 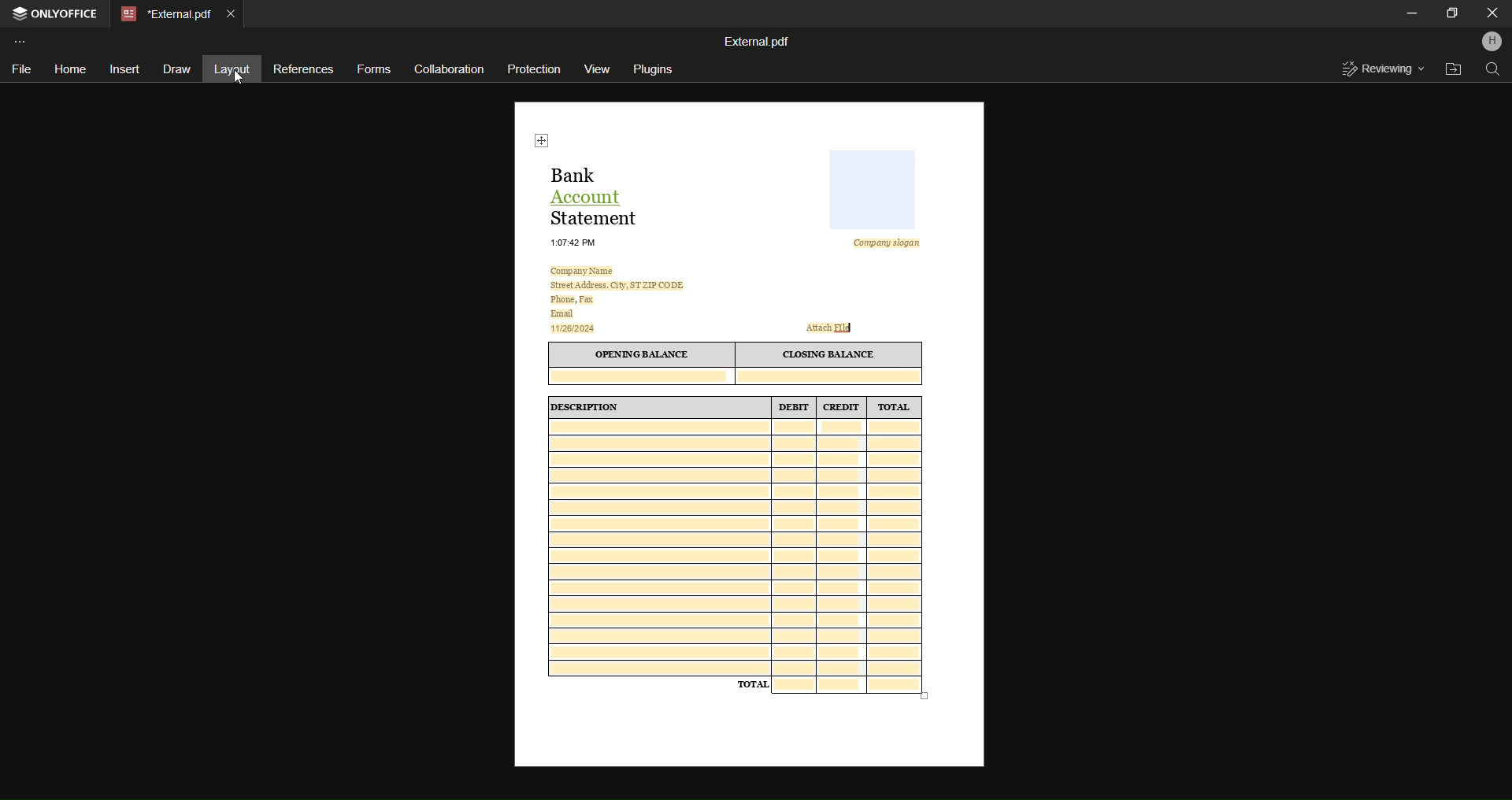 What do you see at coordinates (239, 78) in the screenshot?
I see `cursor` at bounding box center [239, 78].